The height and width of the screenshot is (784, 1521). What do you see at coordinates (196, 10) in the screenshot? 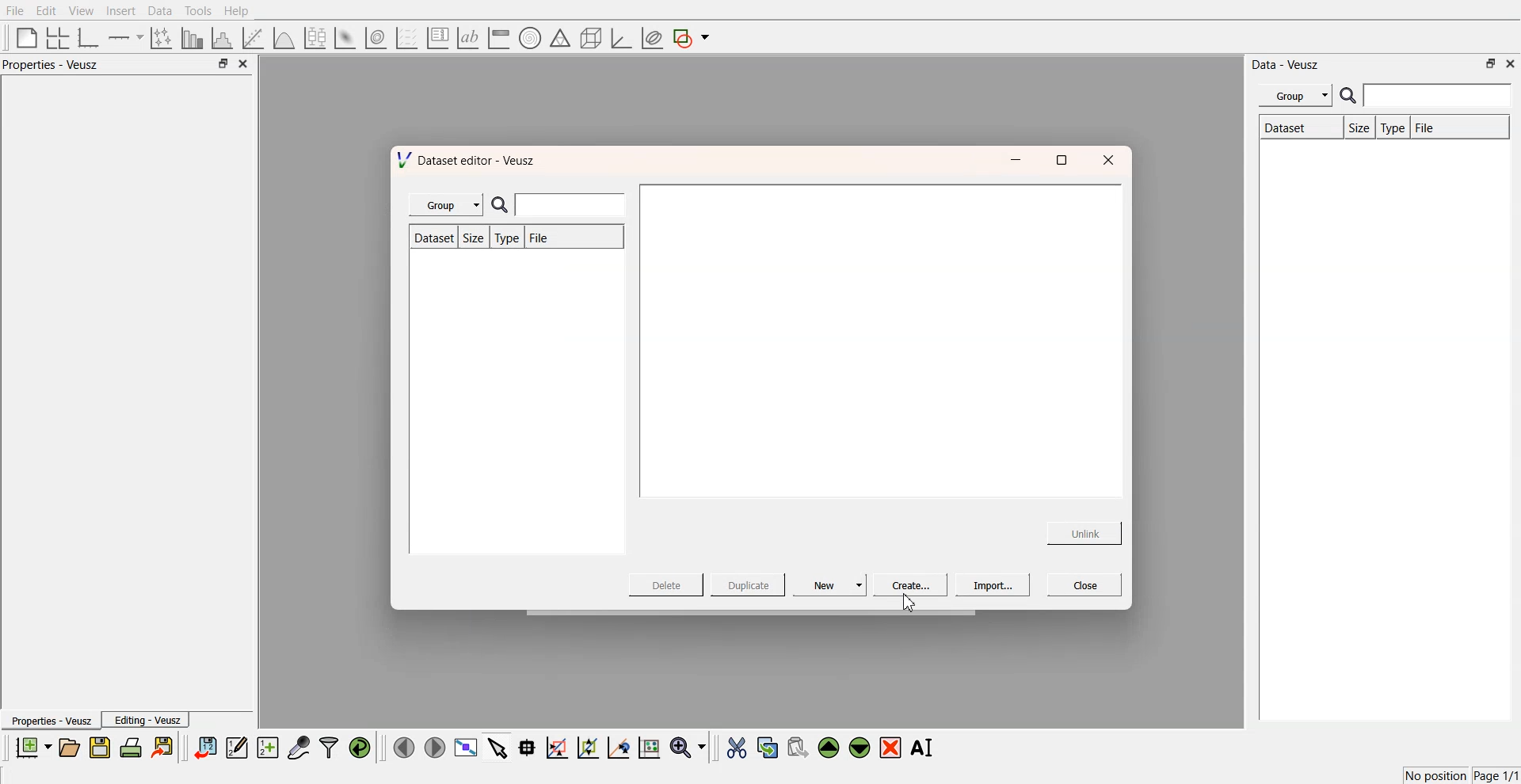
I see `Tools` at bounding box center [196, 10].